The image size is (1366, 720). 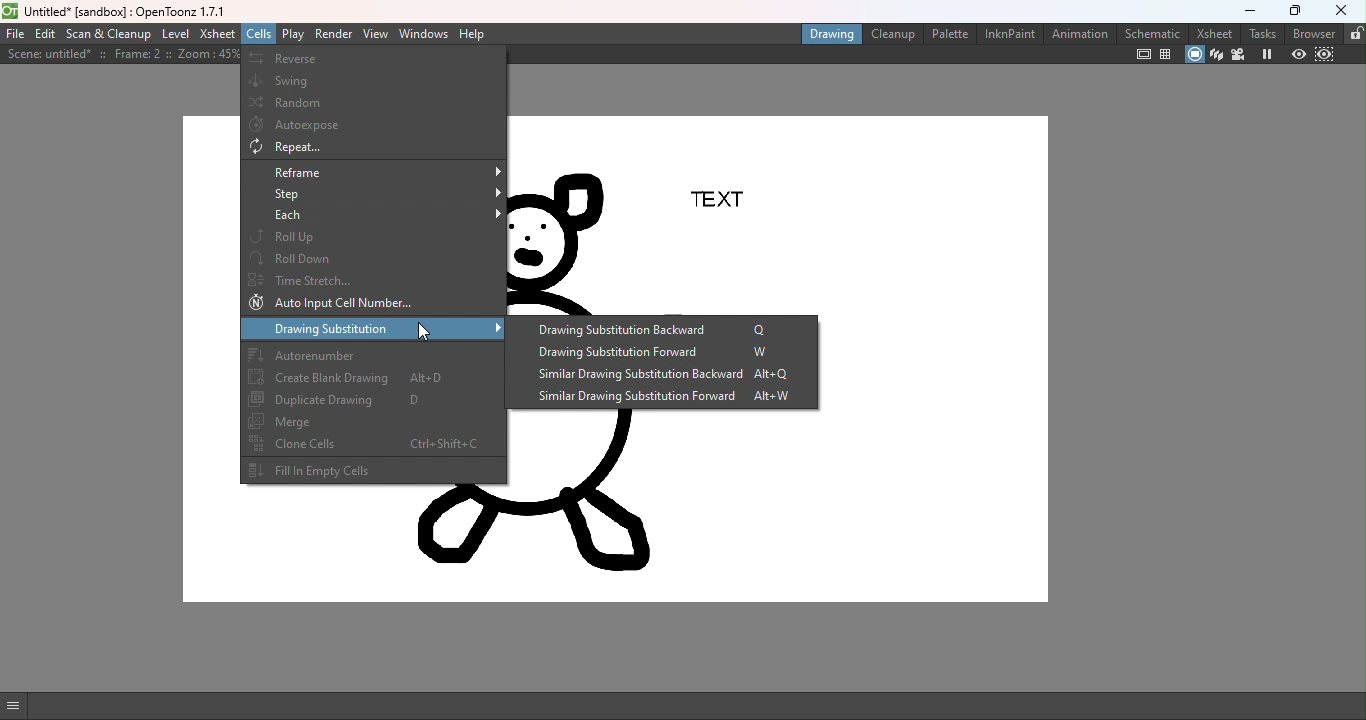 What do you see at coordinates (375, 424) in the screenshot?
I see `Merge` at bounding box center [375, 424].